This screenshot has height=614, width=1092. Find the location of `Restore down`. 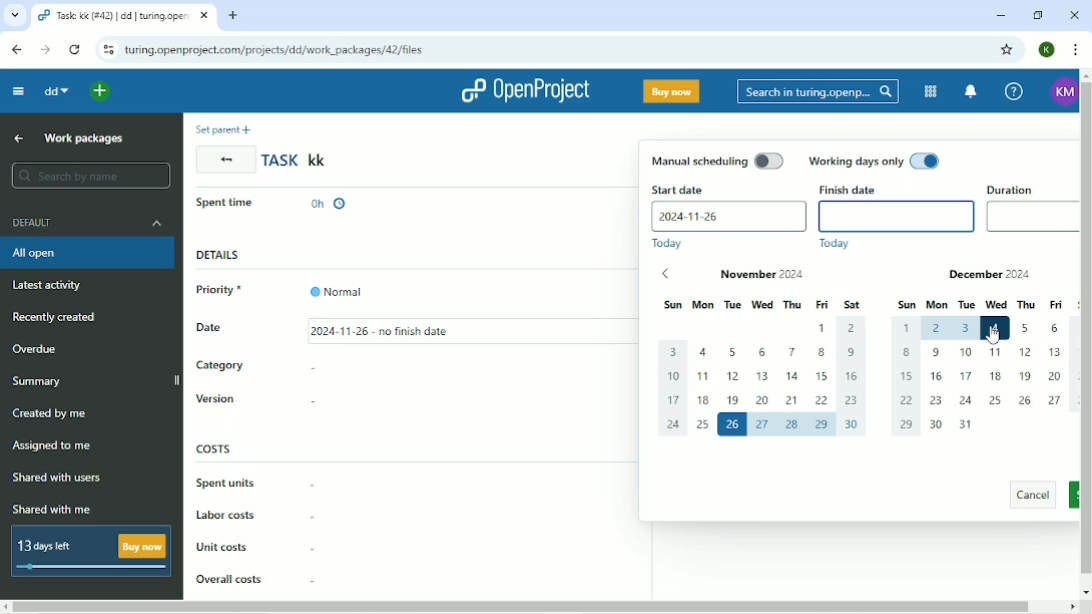

Restore down is located at coordinates (1039, 16).